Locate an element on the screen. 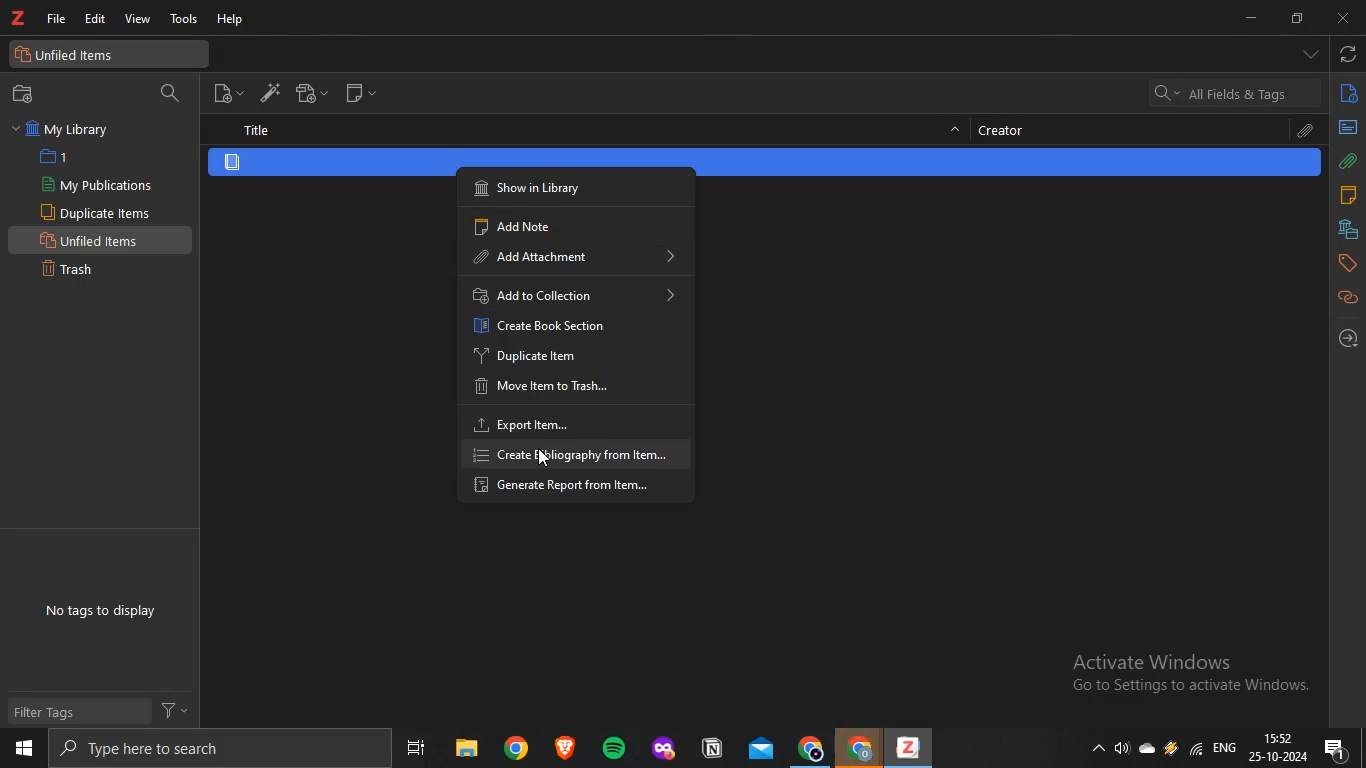  start is located at coordinates (24, 750).